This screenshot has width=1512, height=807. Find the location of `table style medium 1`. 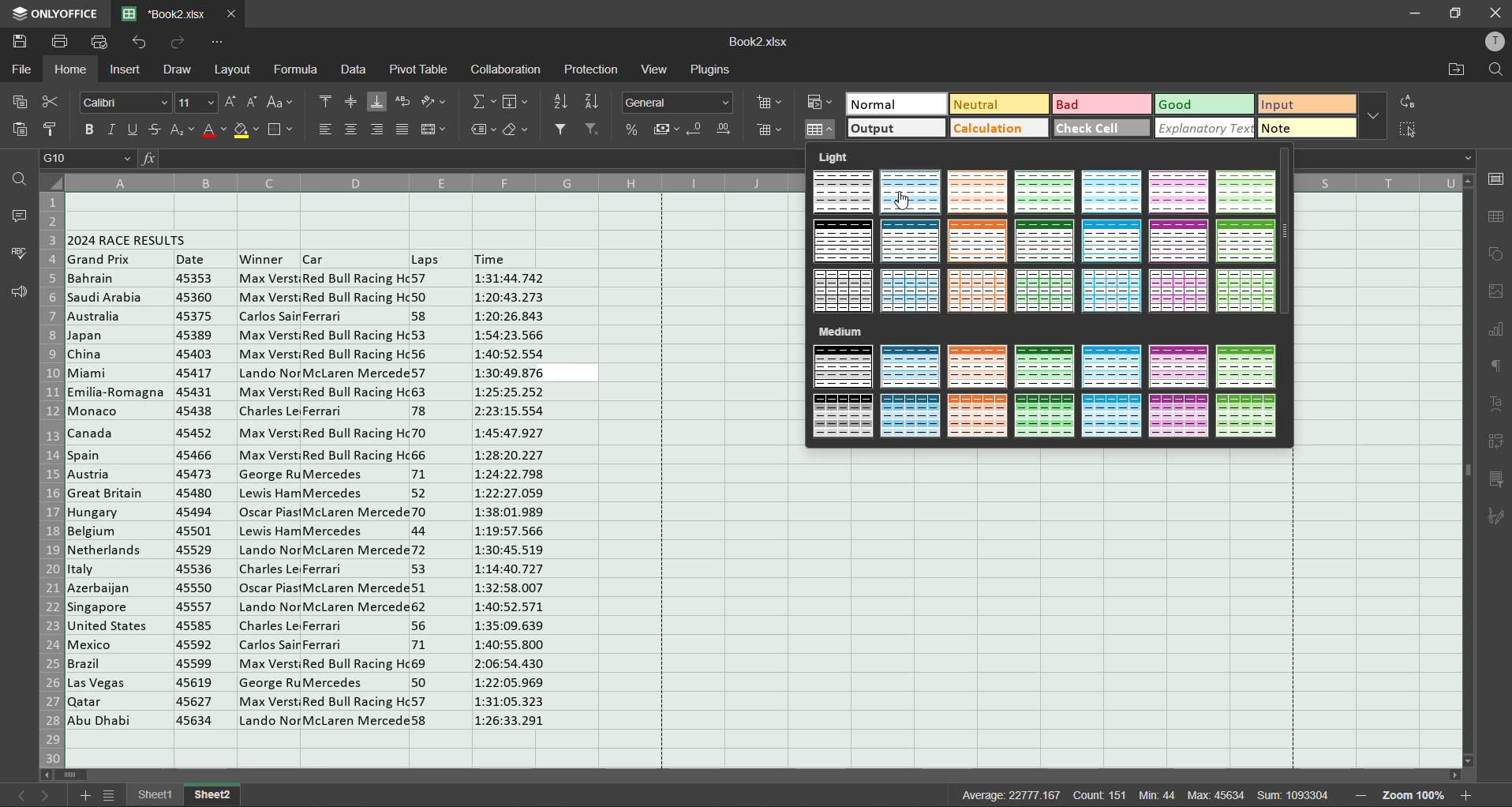

table style medium 1 is located at coordinates (846, 368).